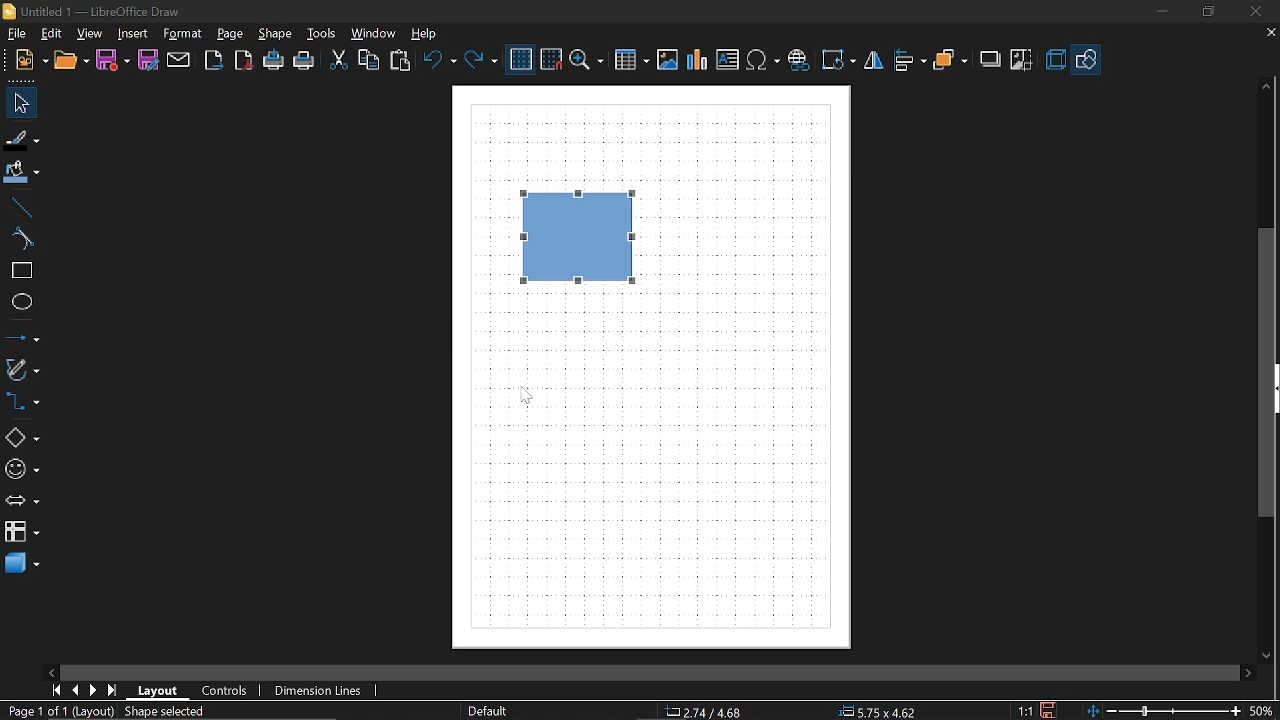 The width and height of the screenshot is (1280, 720). I want to click on zoom, so click(587, 61).